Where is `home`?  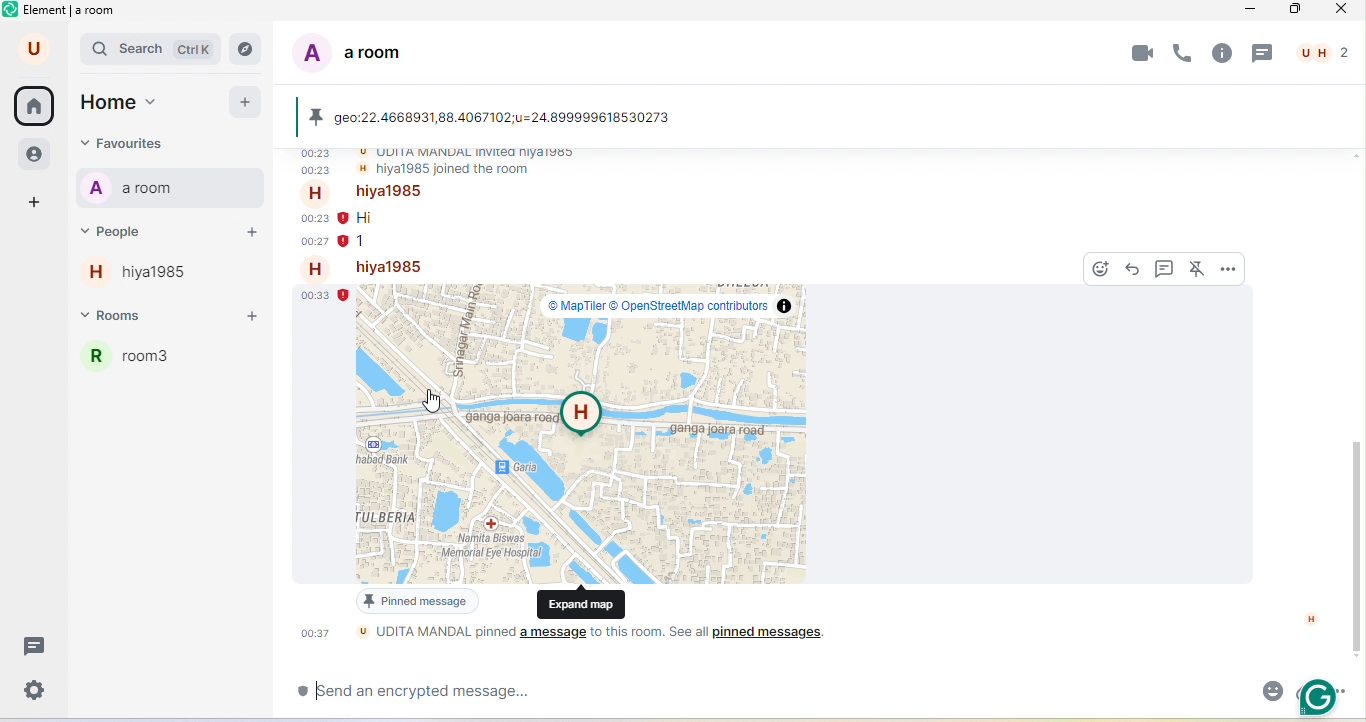
home is located at coordinates (36, 107).